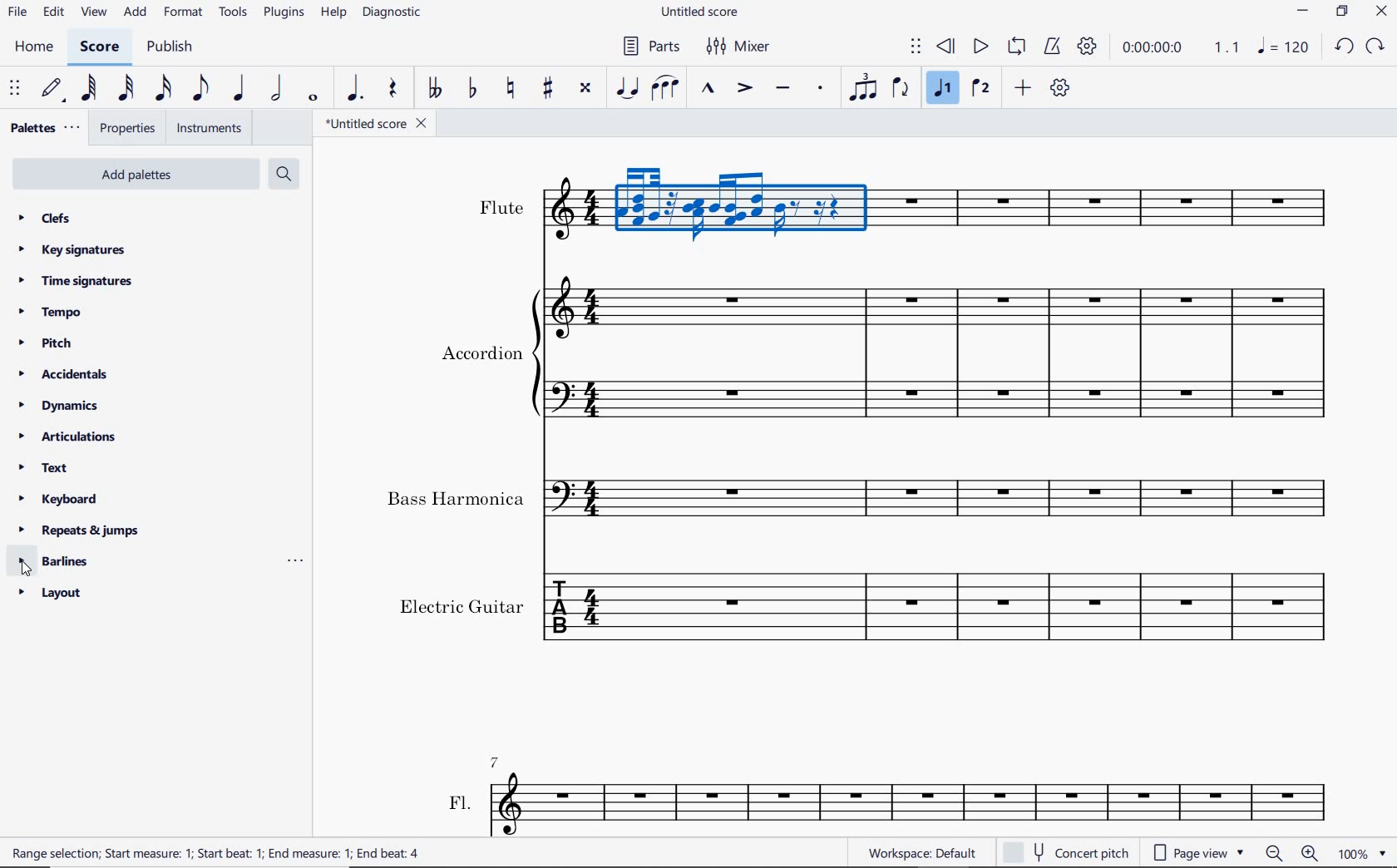 The width and height of the screenshot is (1397, 868). What do you see at coordinates (79, 530) in the screenshot?
I see `repeats & jumps` at bounding box center [79, 530].